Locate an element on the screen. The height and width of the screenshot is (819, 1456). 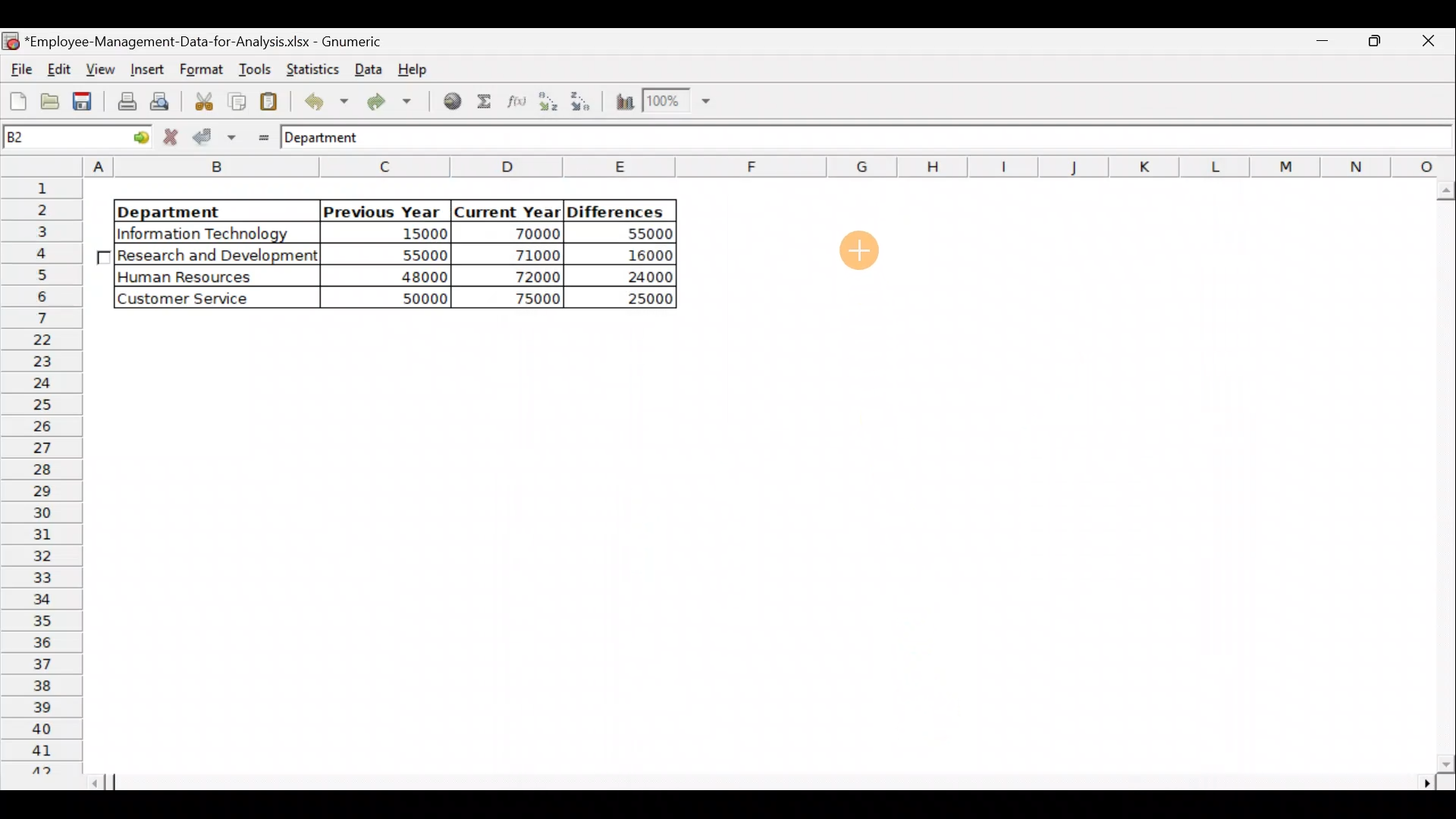
Cursor is located at coordinates (853, 252).